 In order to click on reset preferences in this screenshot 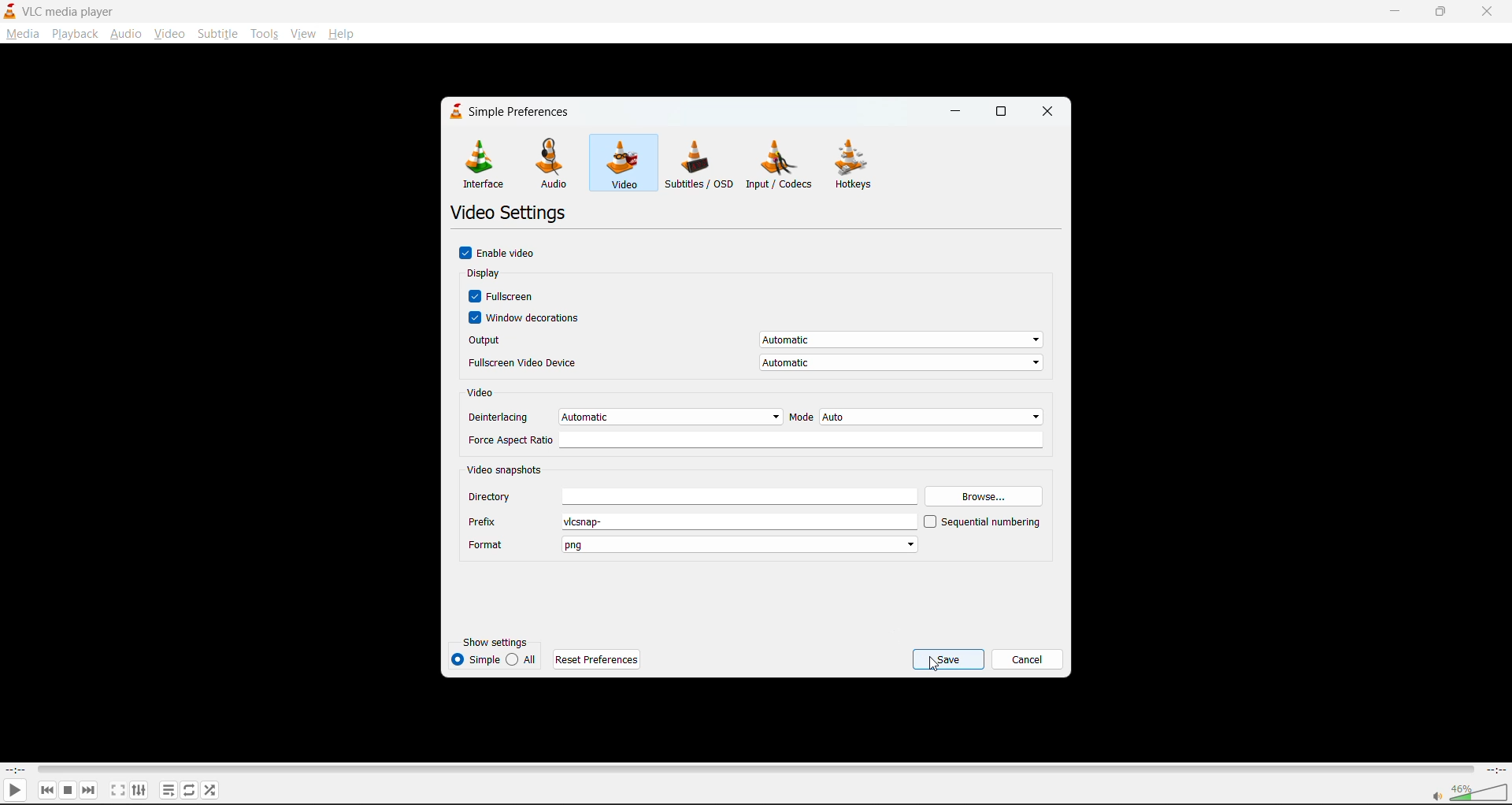, I will do `click(600, 662)`.